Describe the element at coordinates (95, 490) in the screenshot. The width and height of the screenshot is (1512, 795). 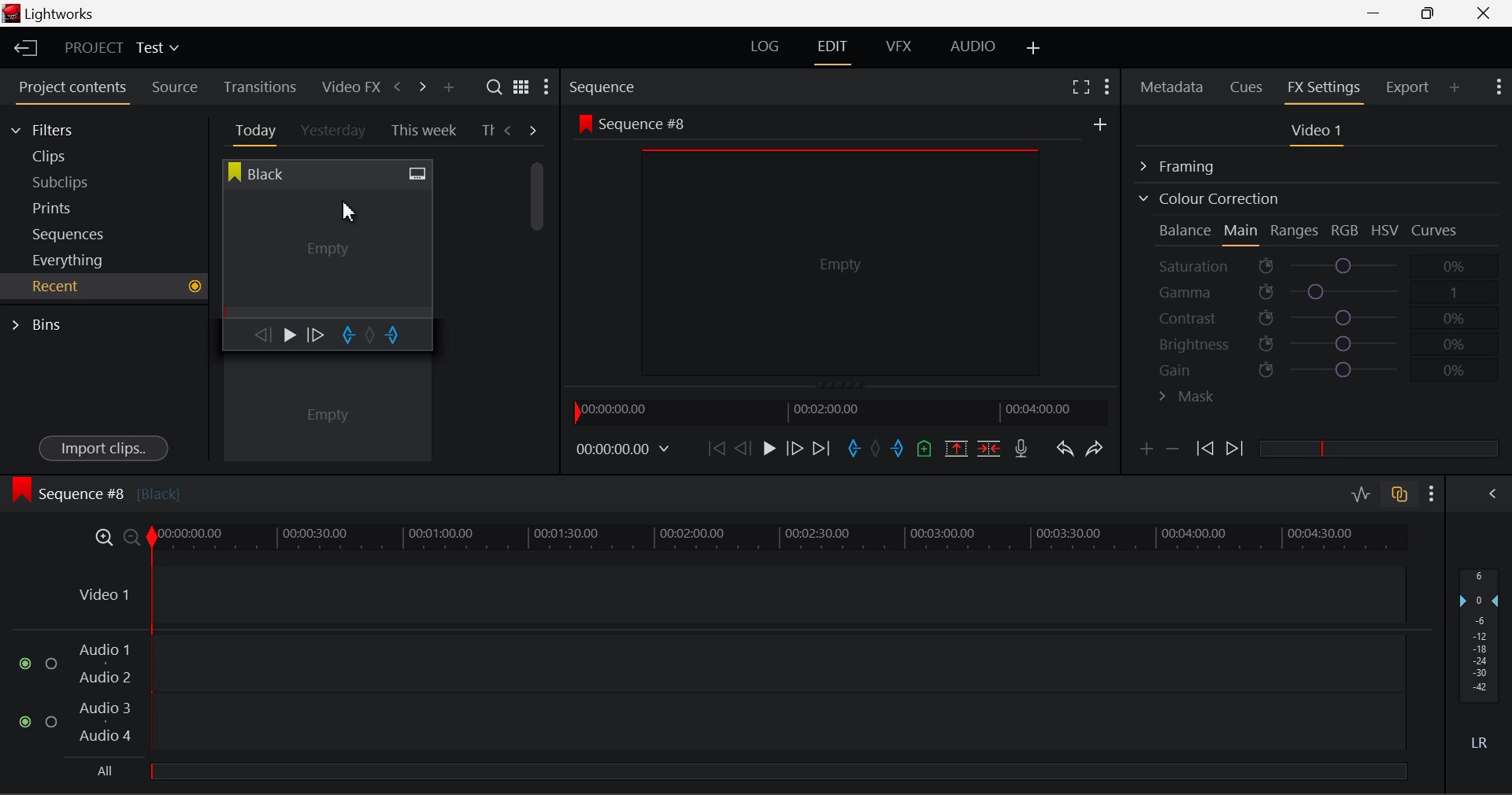
I see `Sequence #8` at that location.